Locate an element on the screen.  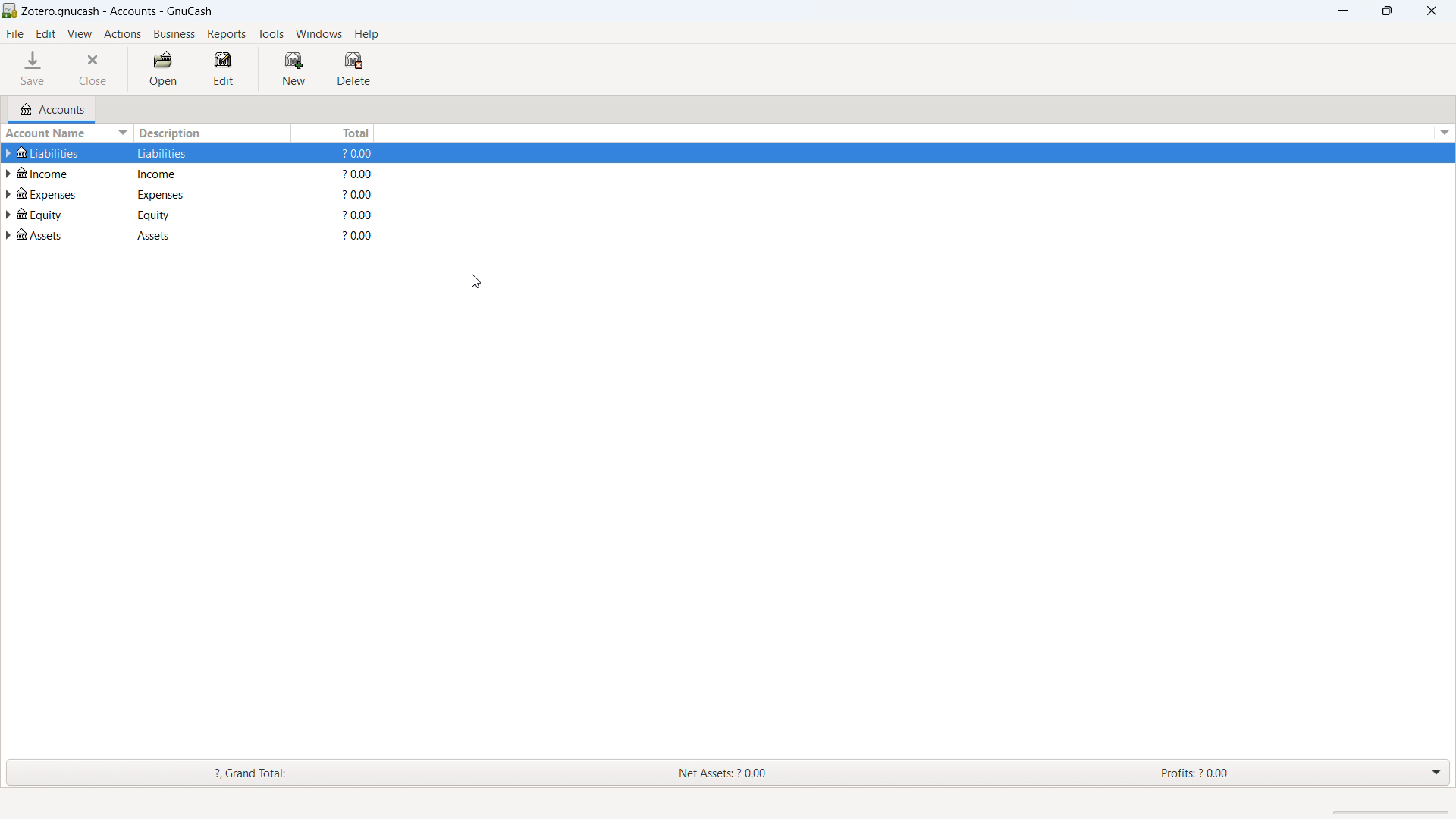
help is located at coordinates (366, 33).